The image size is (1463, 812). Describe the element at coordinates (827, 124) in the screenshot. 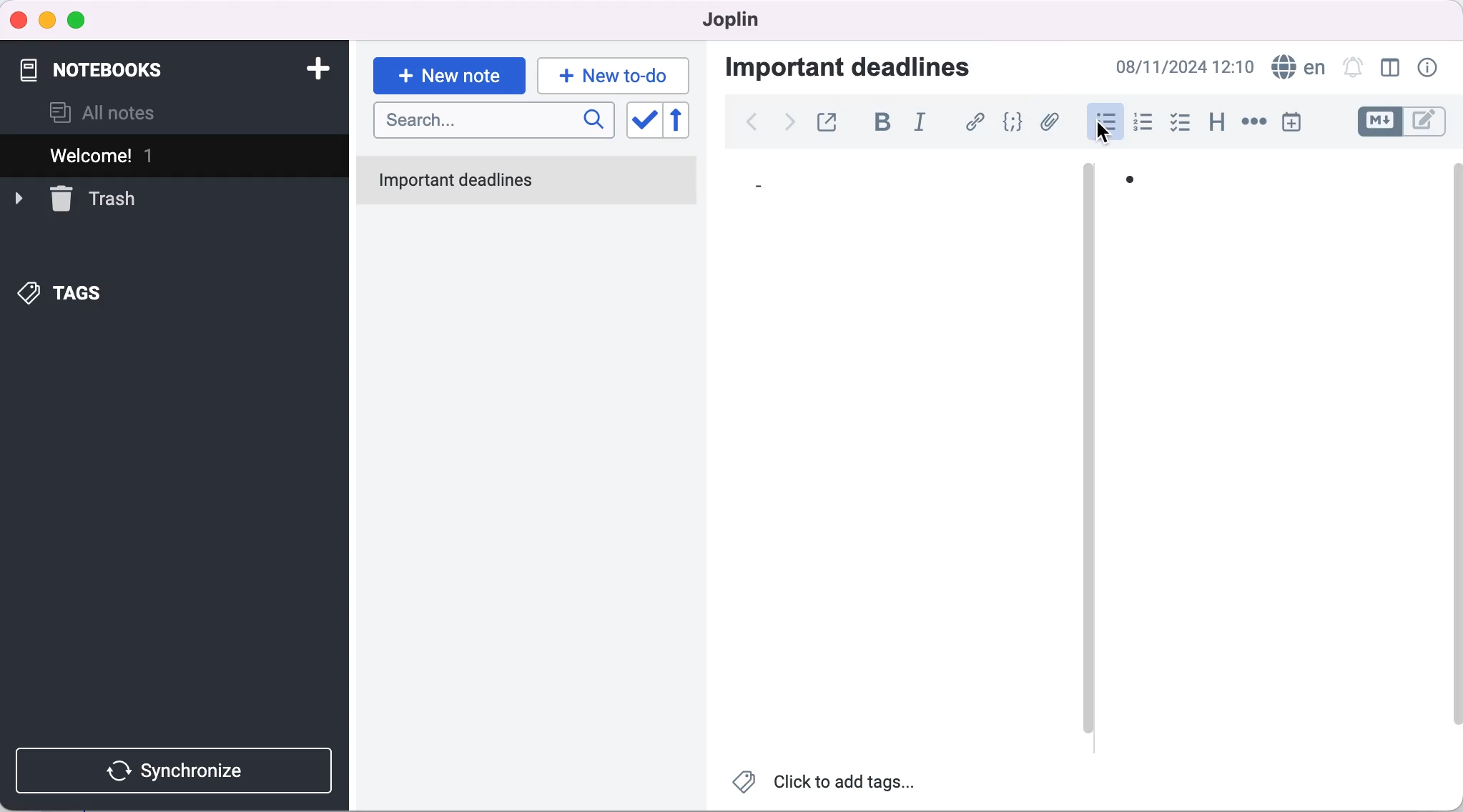

I see `toggle external editing` at that location.